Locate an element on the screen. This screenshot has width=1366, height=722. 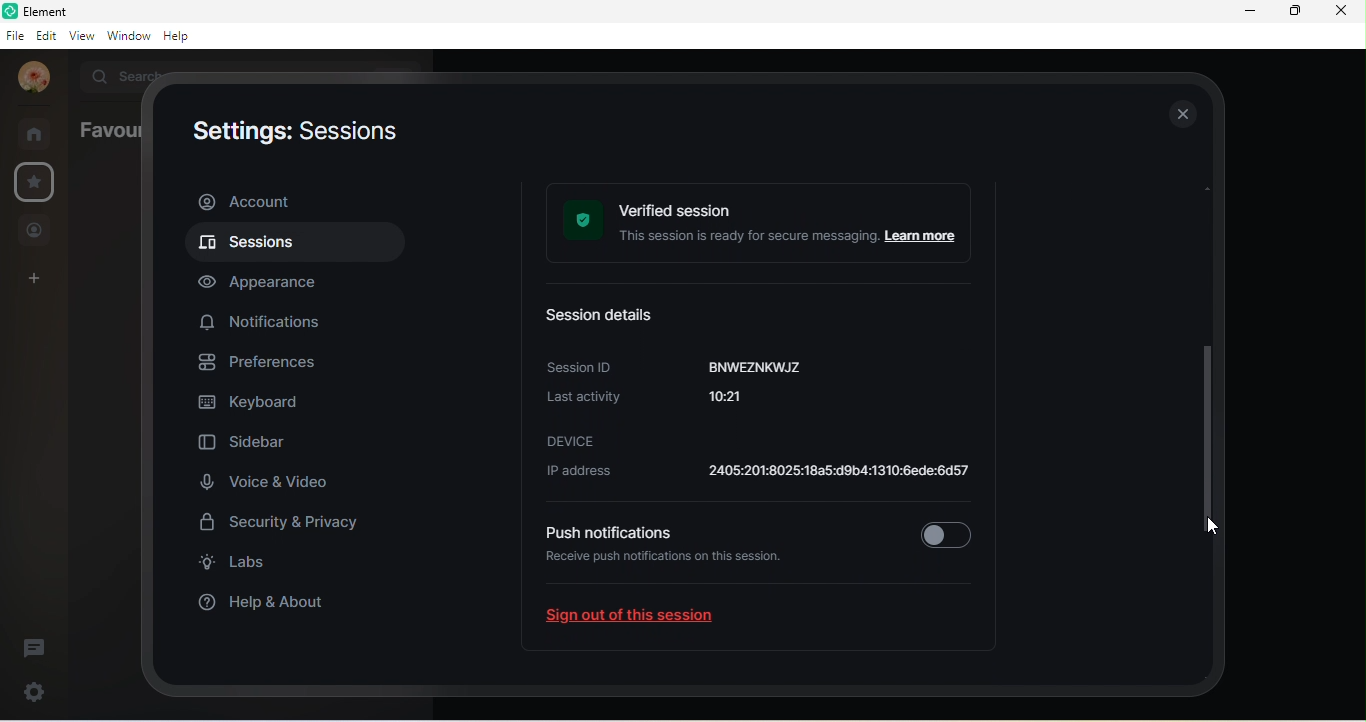
threads is located at coordinates (35, 649).